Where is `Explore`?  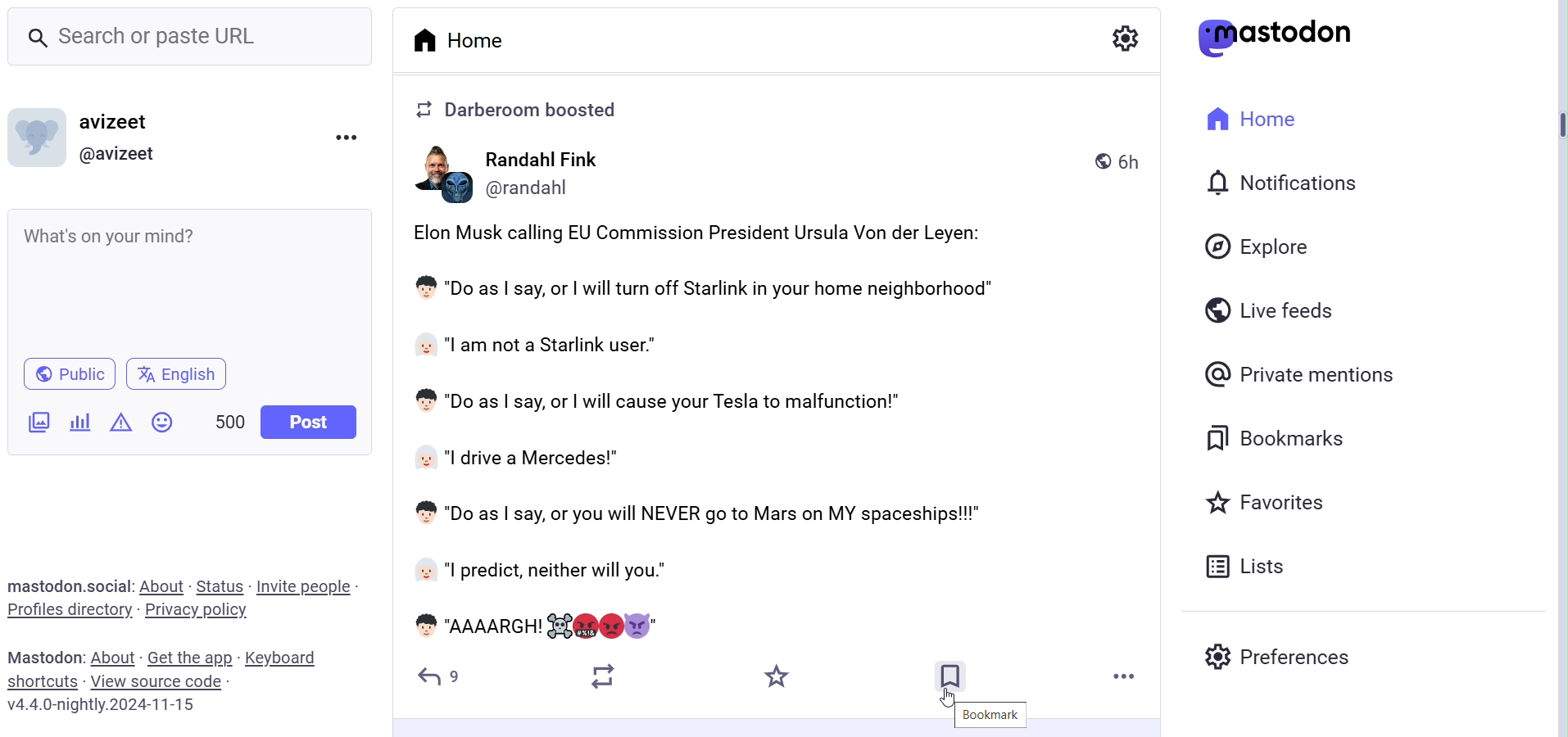 Explore is located at coordinates (1253, 247).